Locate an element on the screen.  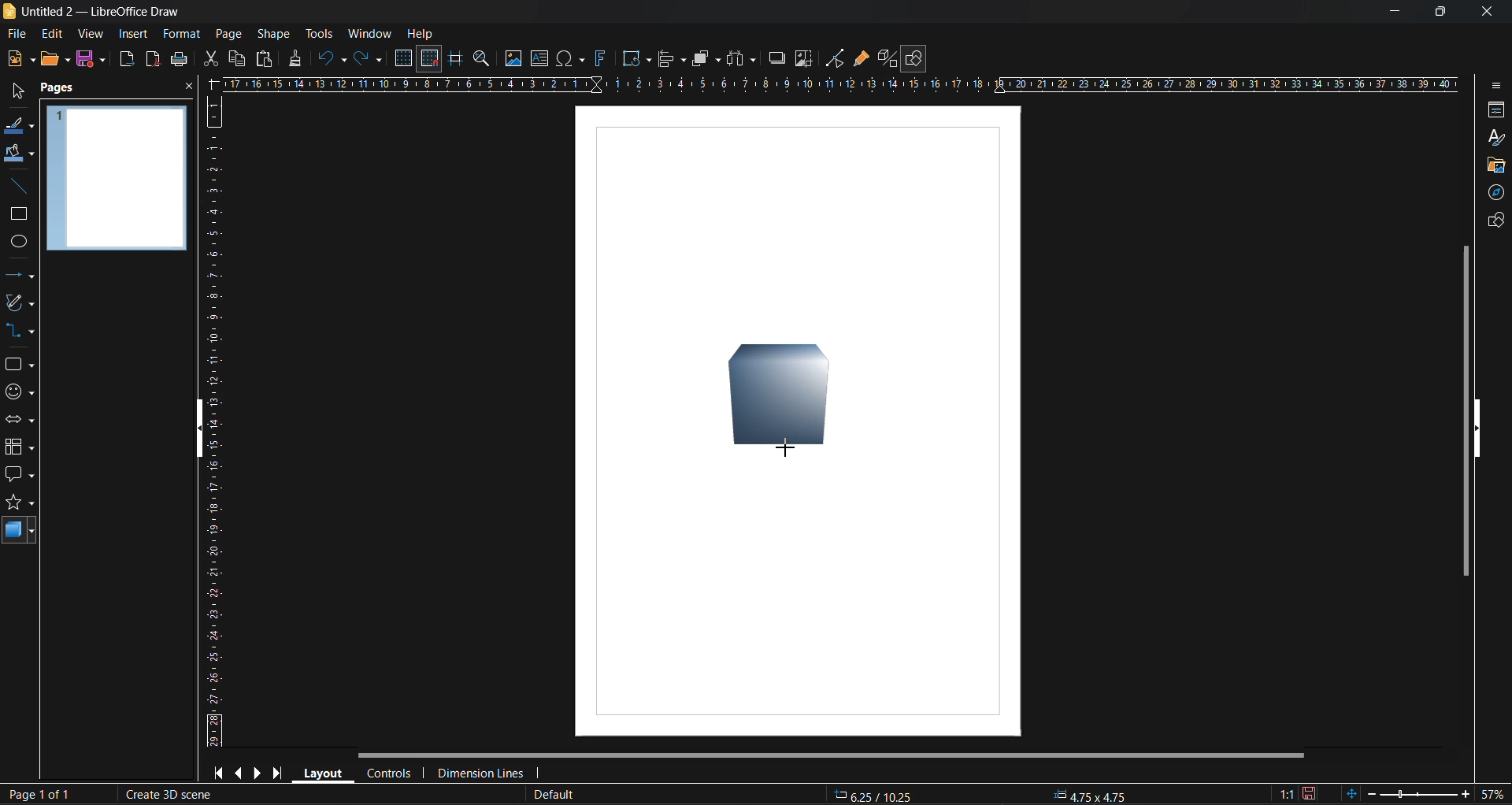
curves and polygons is located at coordinates (18, 304).